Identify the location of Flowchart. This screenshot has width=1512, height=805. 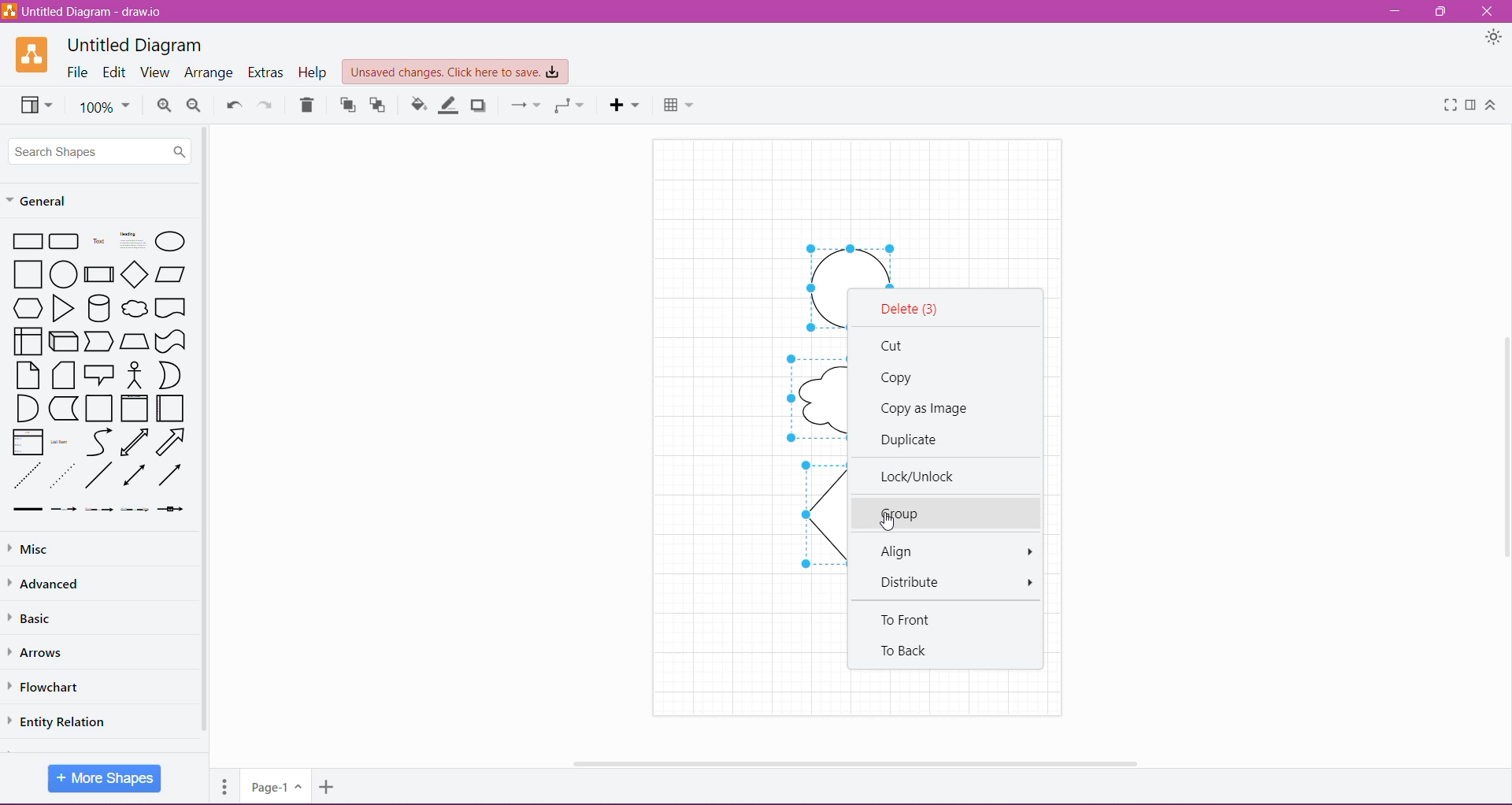
(54, 687).